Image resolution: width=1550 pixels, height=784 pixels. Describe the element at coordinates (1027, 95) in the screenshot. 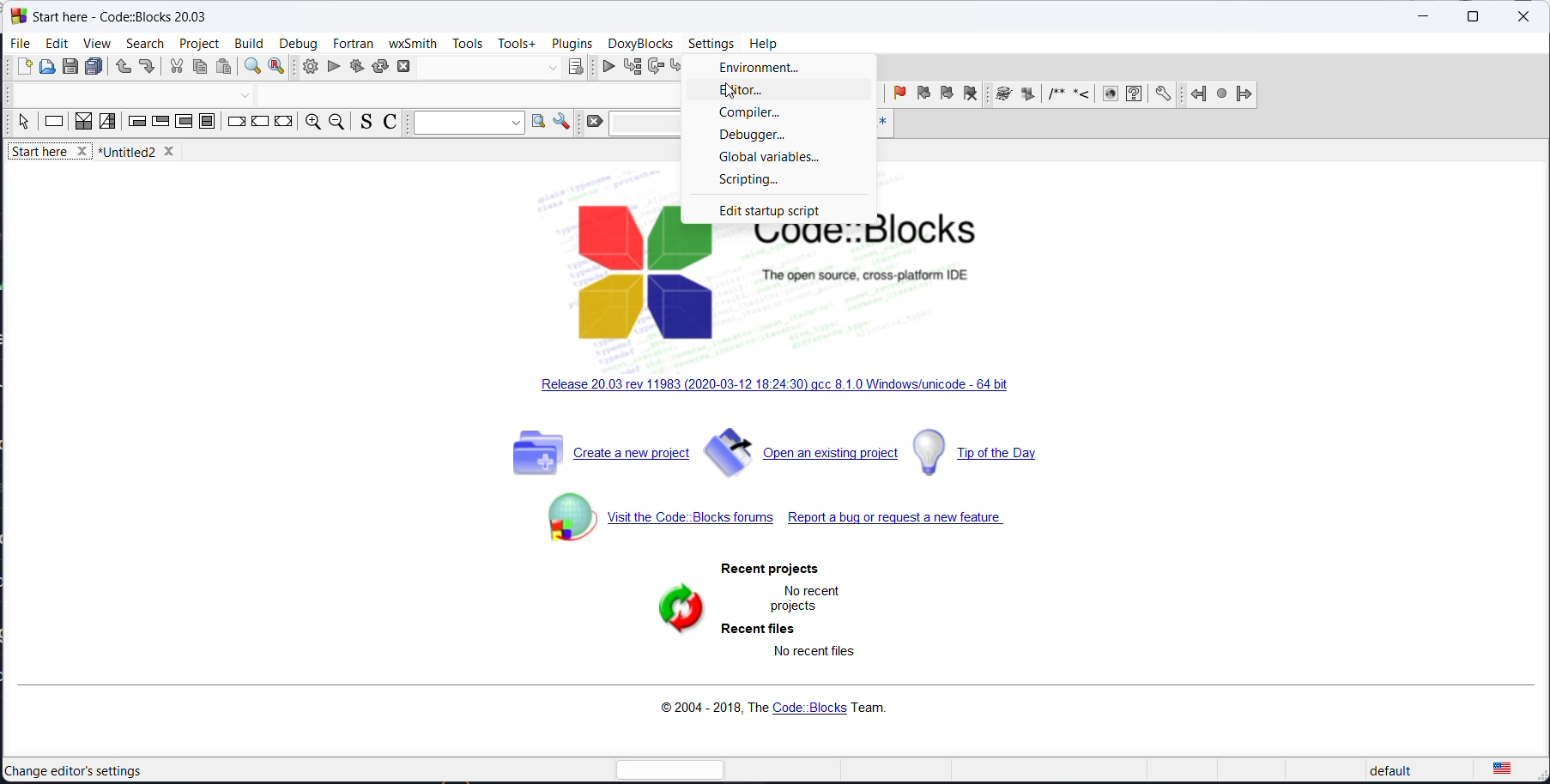

I see `icon` at that location.